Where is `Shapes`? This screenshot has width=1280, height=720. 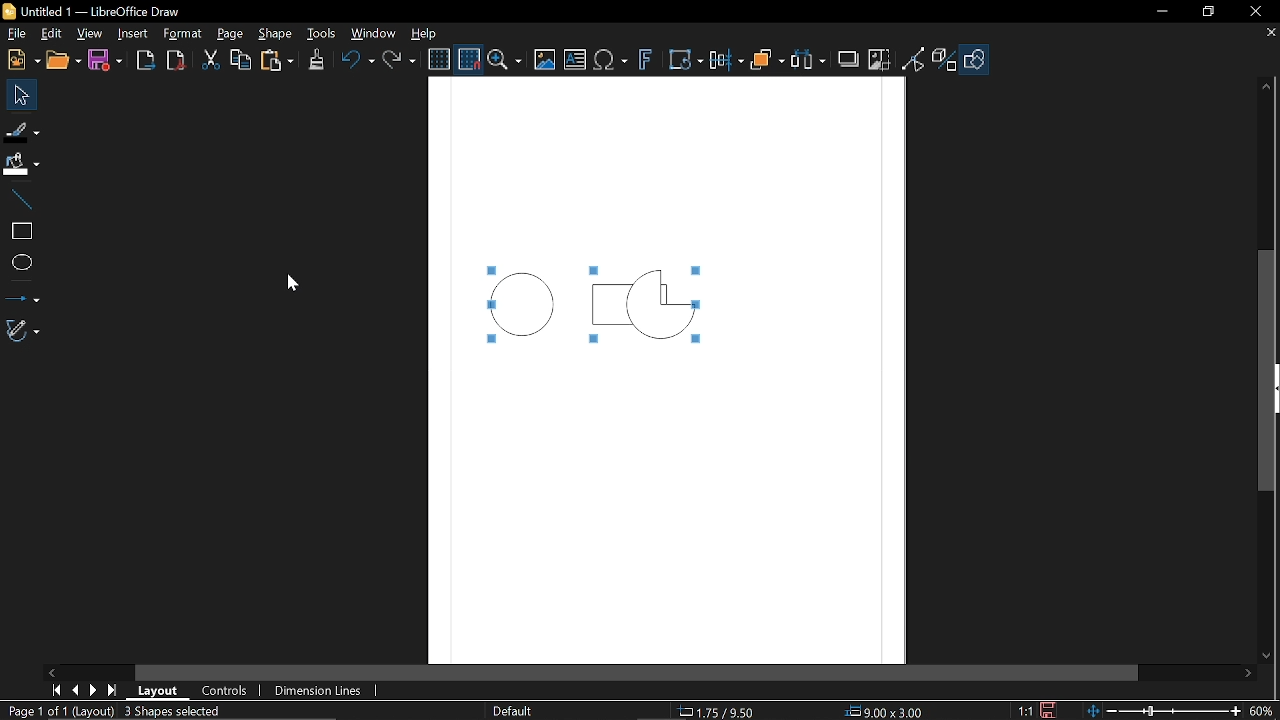 Shapes is located at coordinates (975, 60).